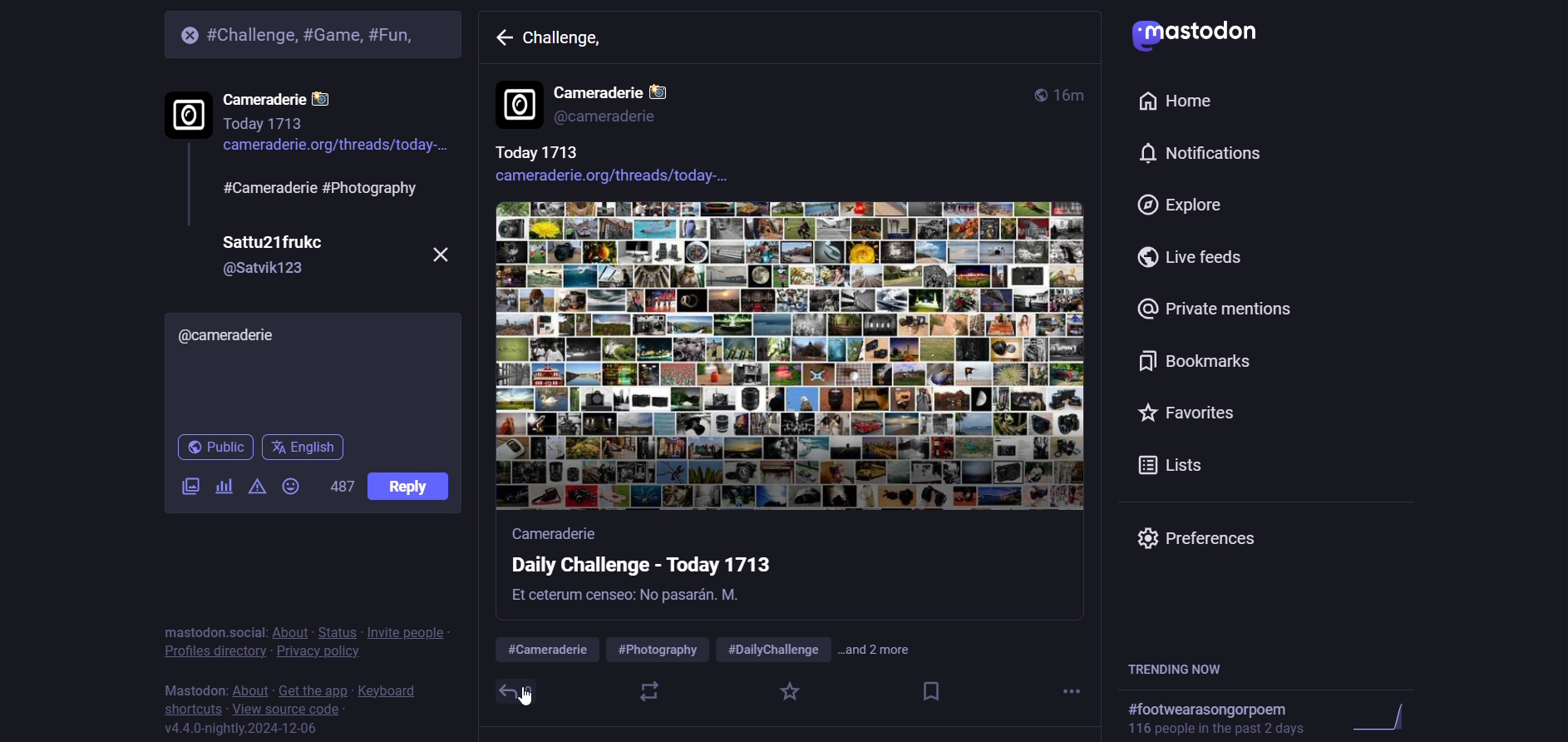  I want to click on explore, so click(1183, 204).